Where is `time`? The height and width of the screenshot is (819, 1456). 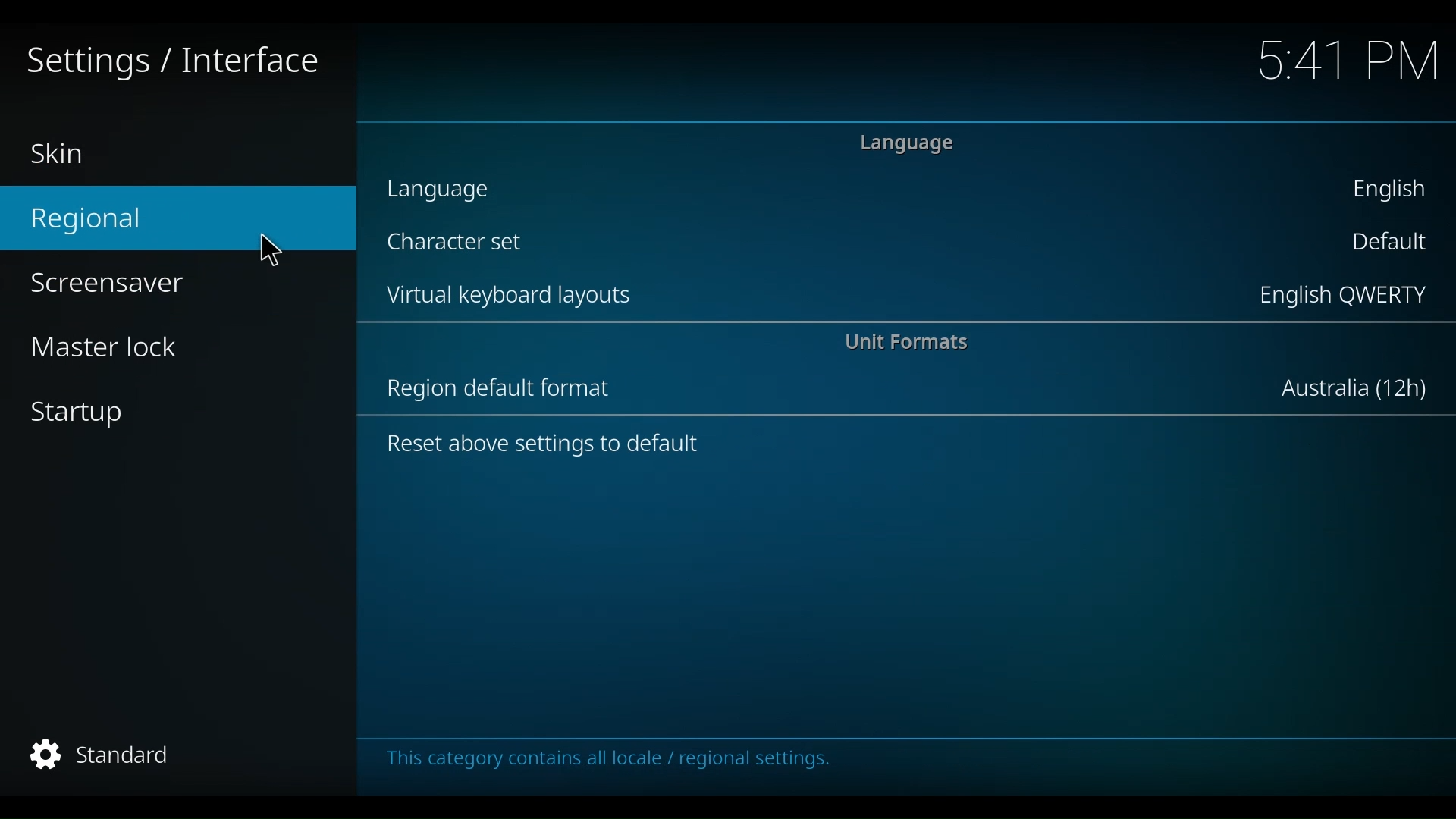 time is located at coordinates (1350, 59).